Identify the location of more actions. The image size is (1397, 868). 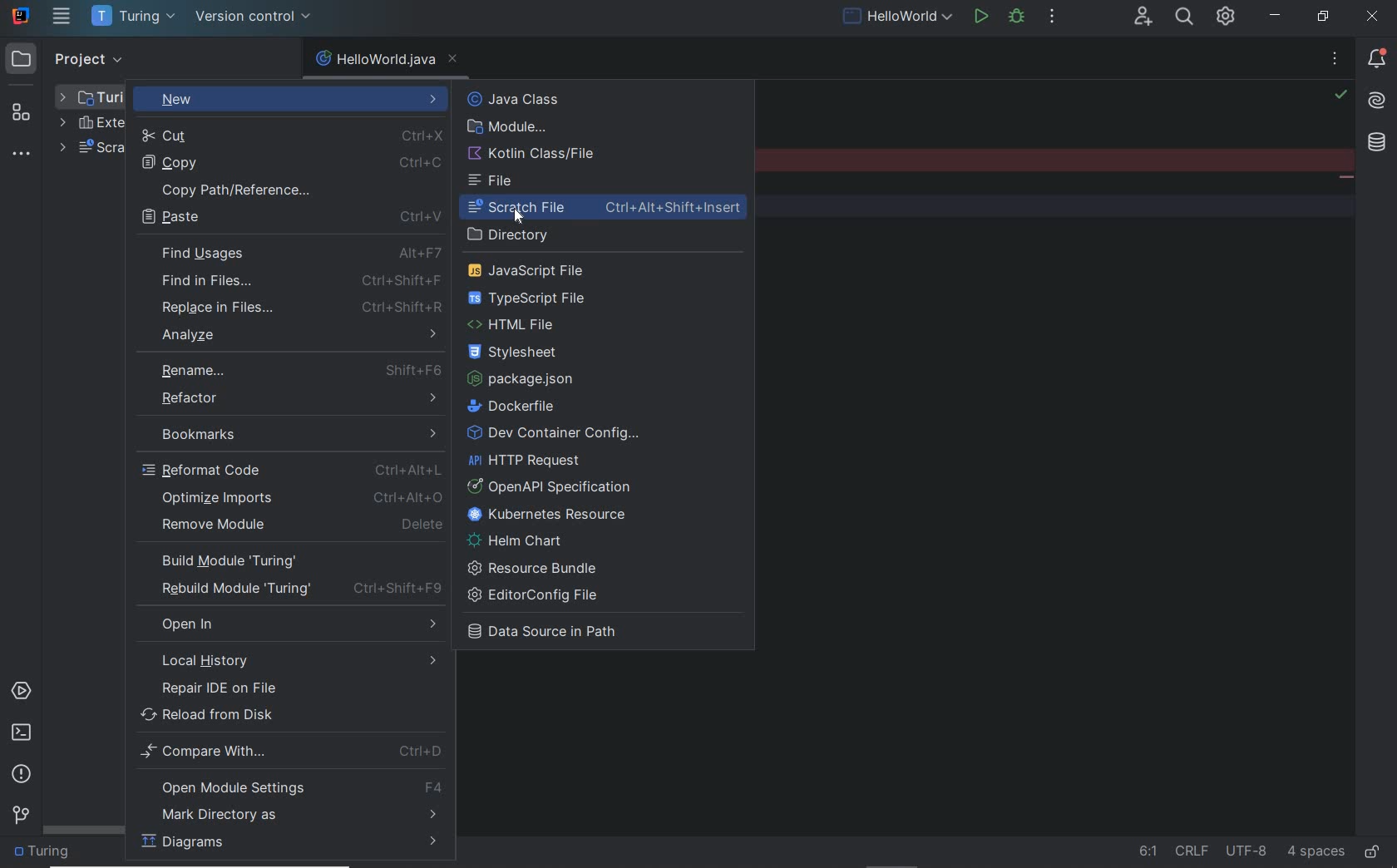
(1053, 18).